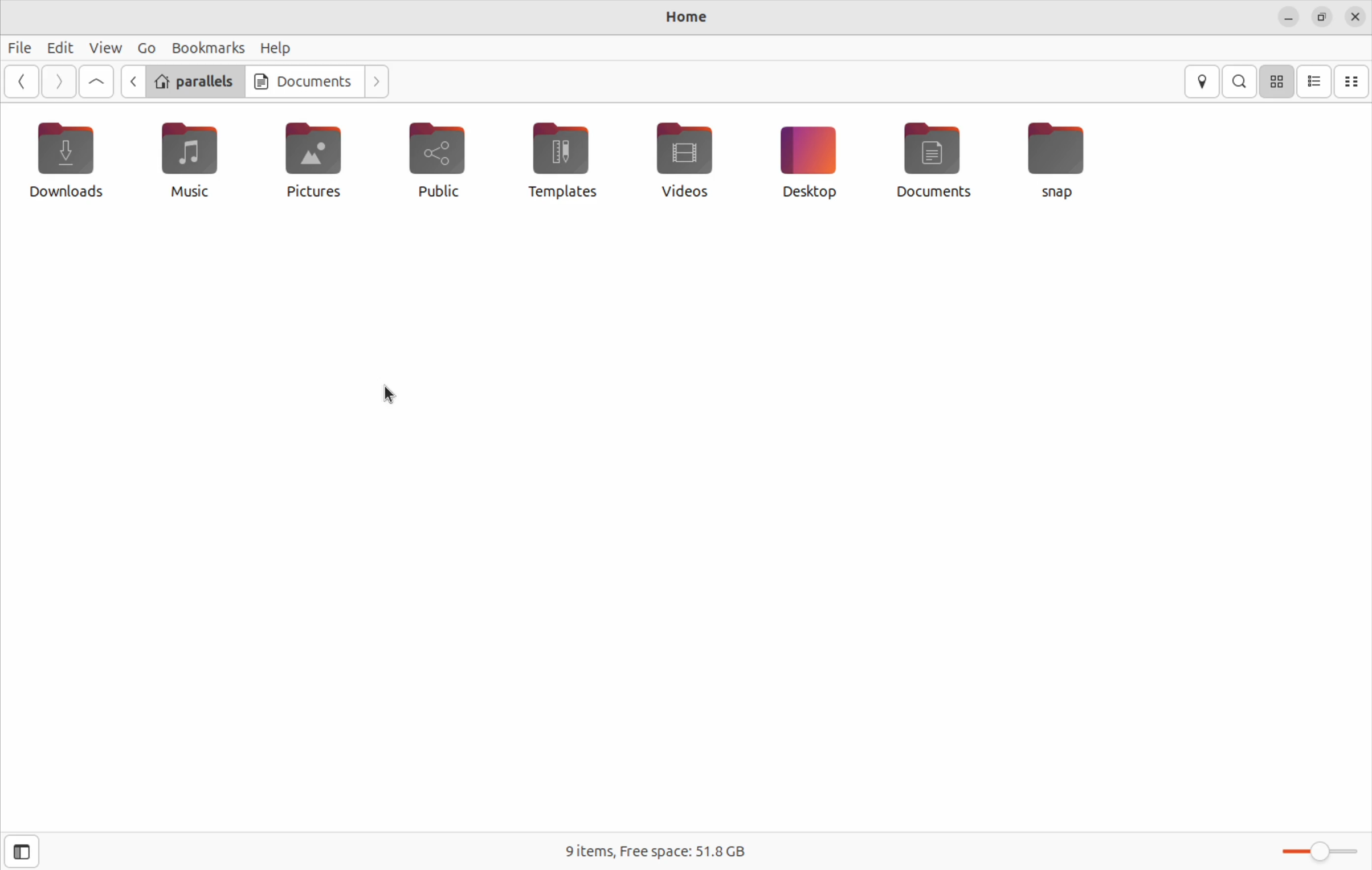  I want to click on compact view, so click(1353, 80).